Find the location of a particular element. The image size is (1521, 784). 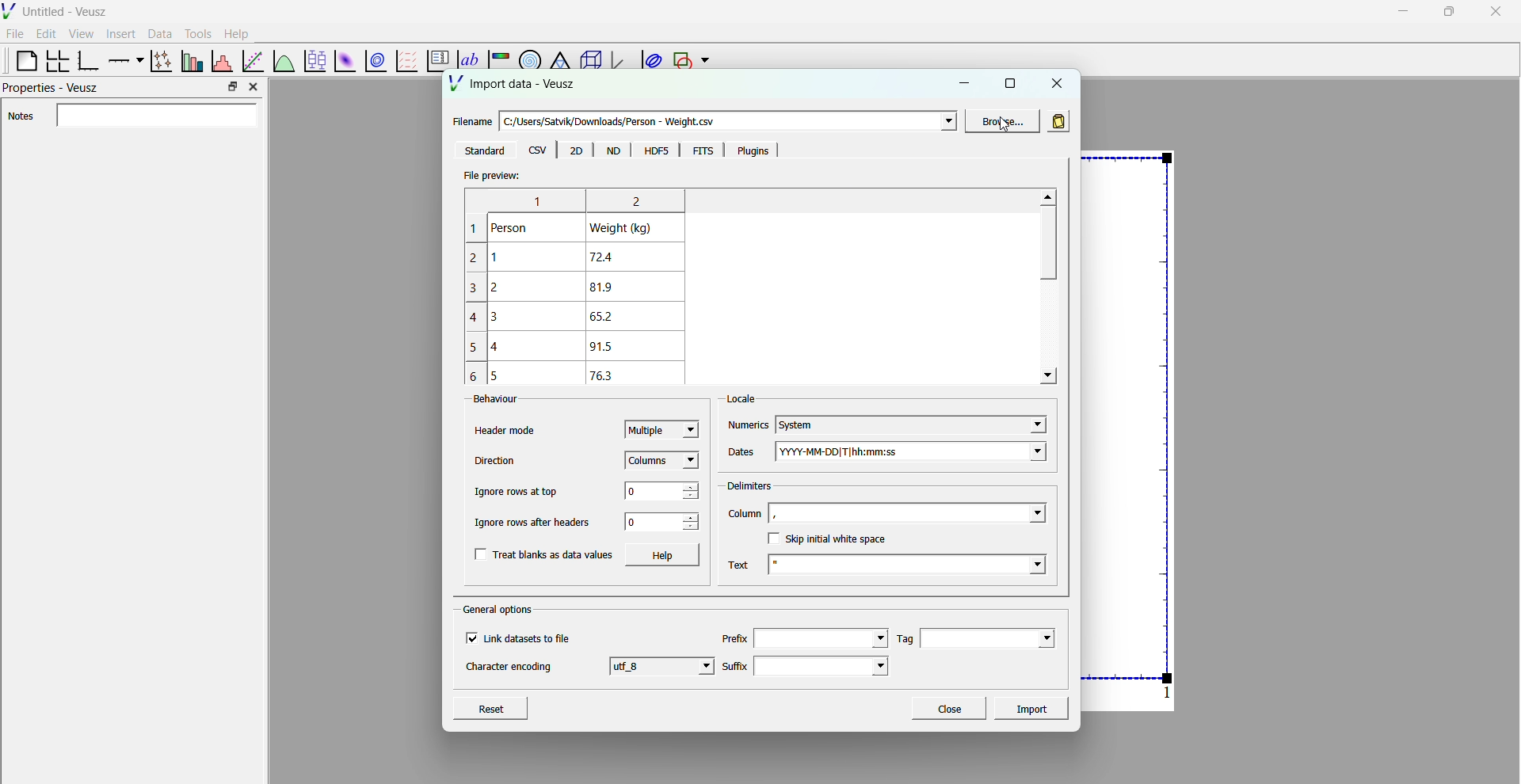

maximize is located at coordinates (1009, 83).